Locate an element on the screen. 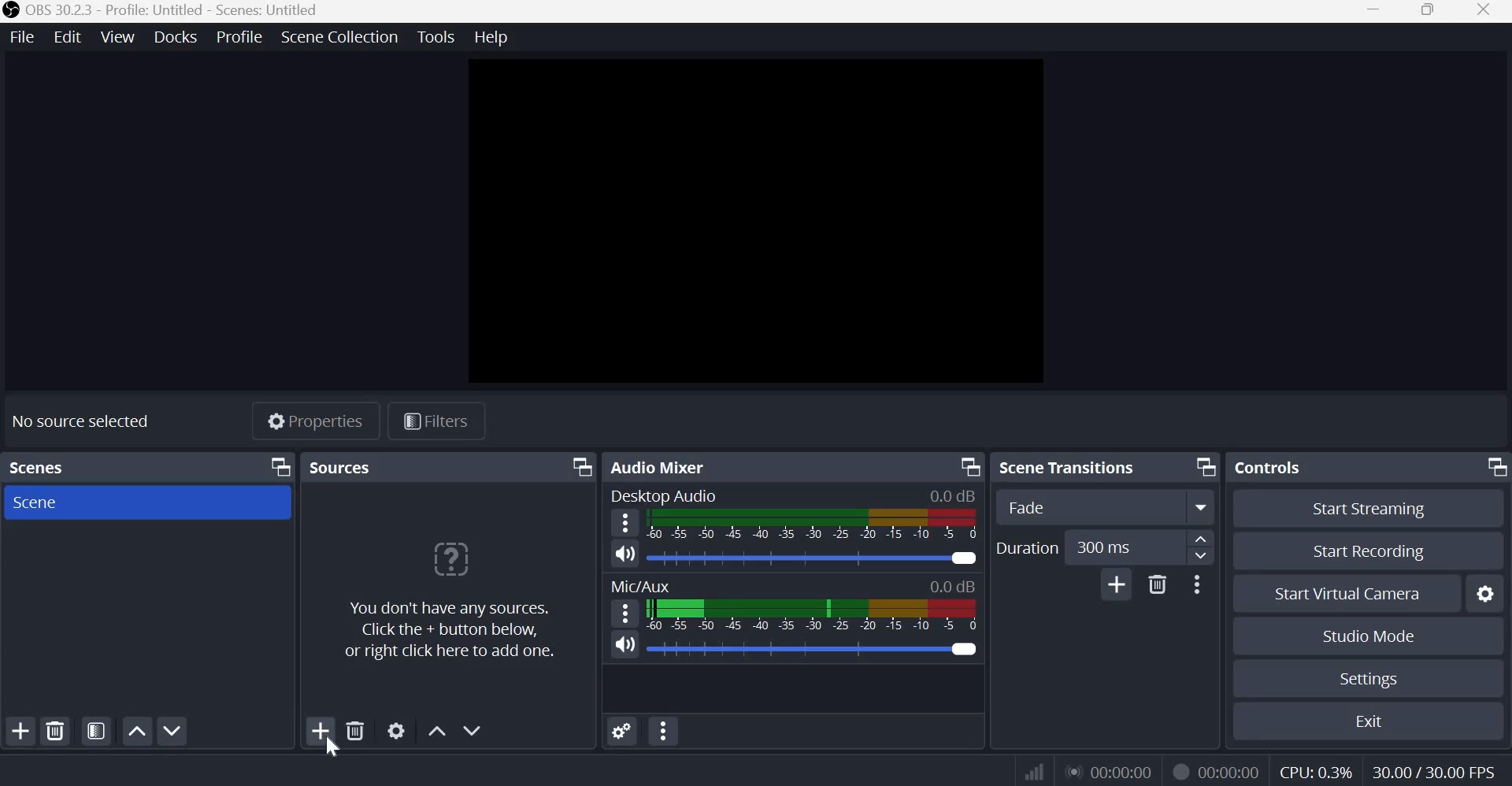 The width and height of the screenshot is (1512, 786). scenes is located at coordinates (40, 465).